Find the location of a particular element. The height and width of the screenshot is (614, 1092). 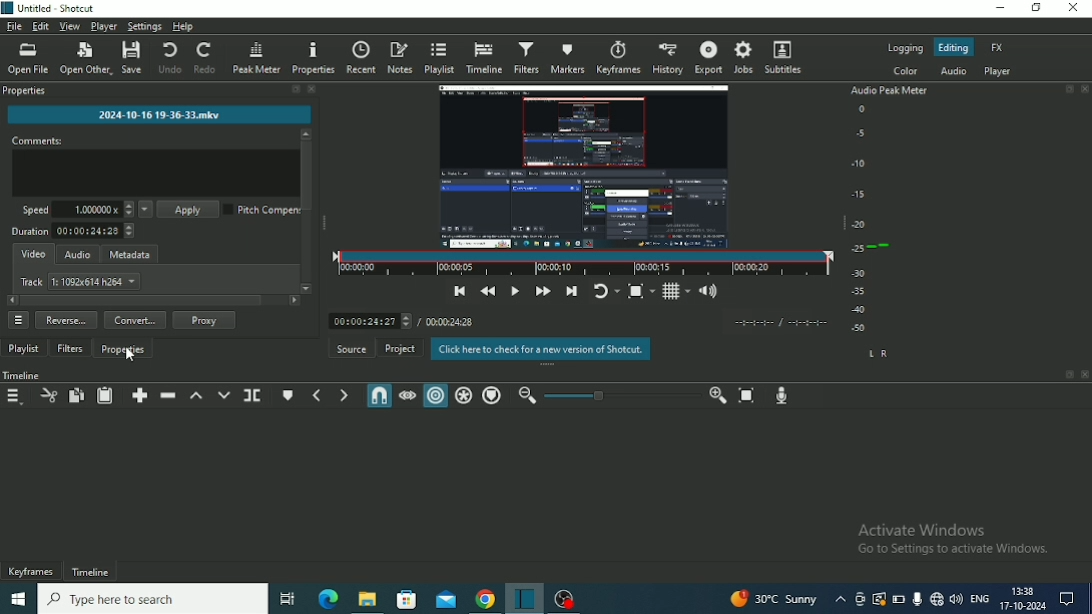

Video duration is located at coordinates (583, 264).